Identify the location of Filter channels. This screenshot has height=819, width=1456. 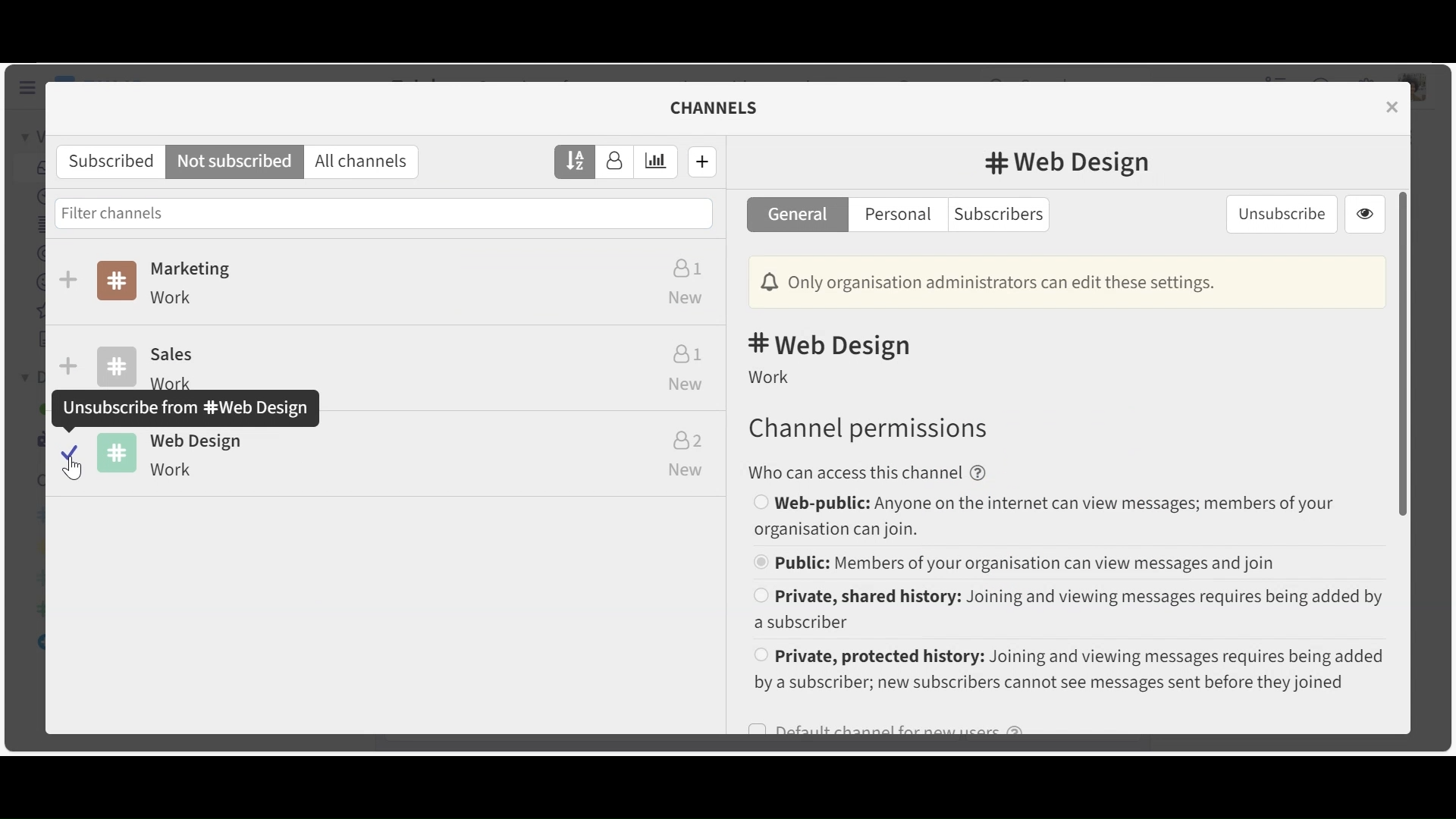
(384, 213).